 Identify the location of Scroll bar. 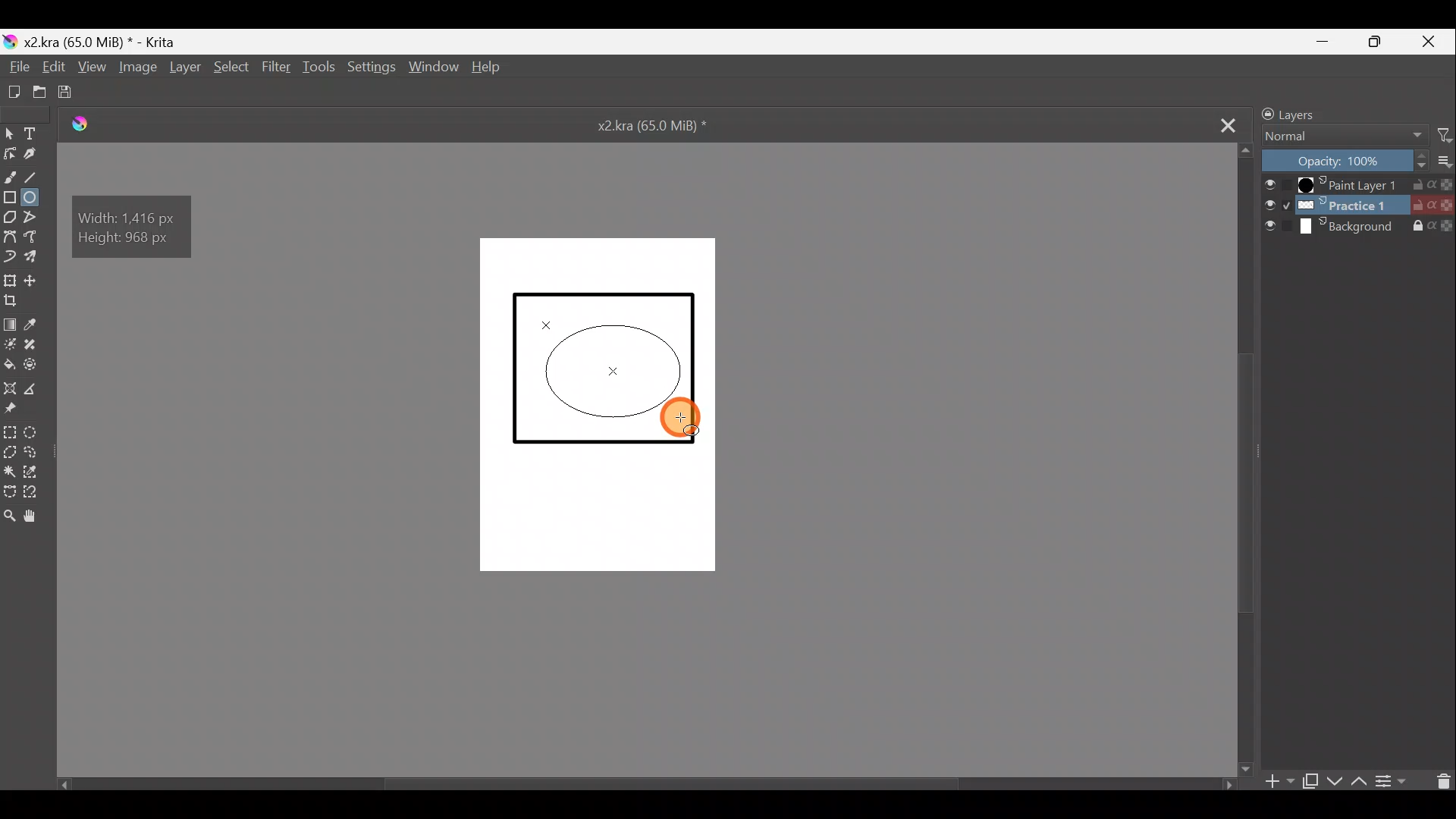
(633, 781).